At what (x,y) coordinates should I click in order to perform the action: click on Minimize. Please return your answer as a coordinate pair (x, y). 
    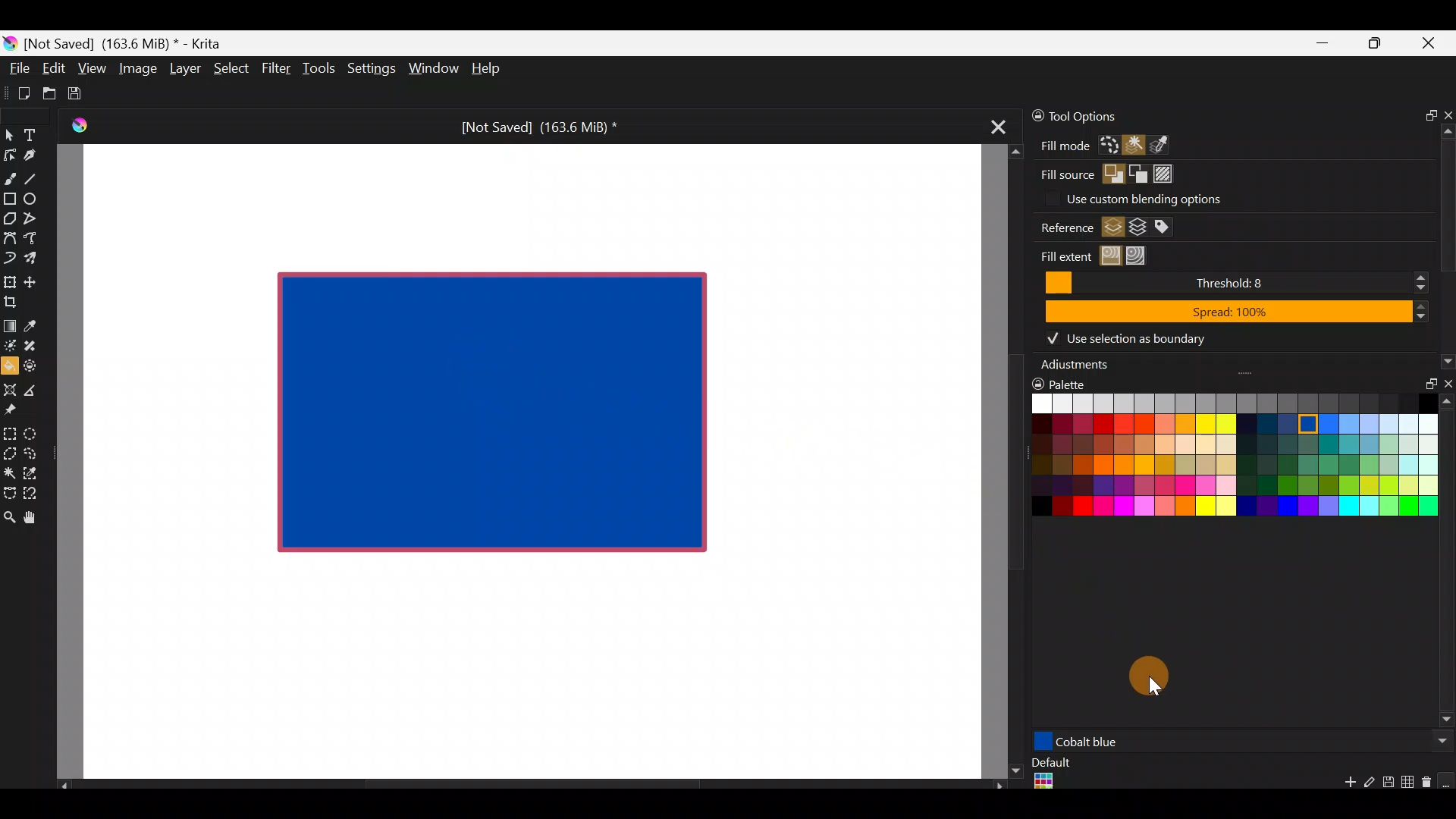
    Looking at the image, I should click on (1323, 44).